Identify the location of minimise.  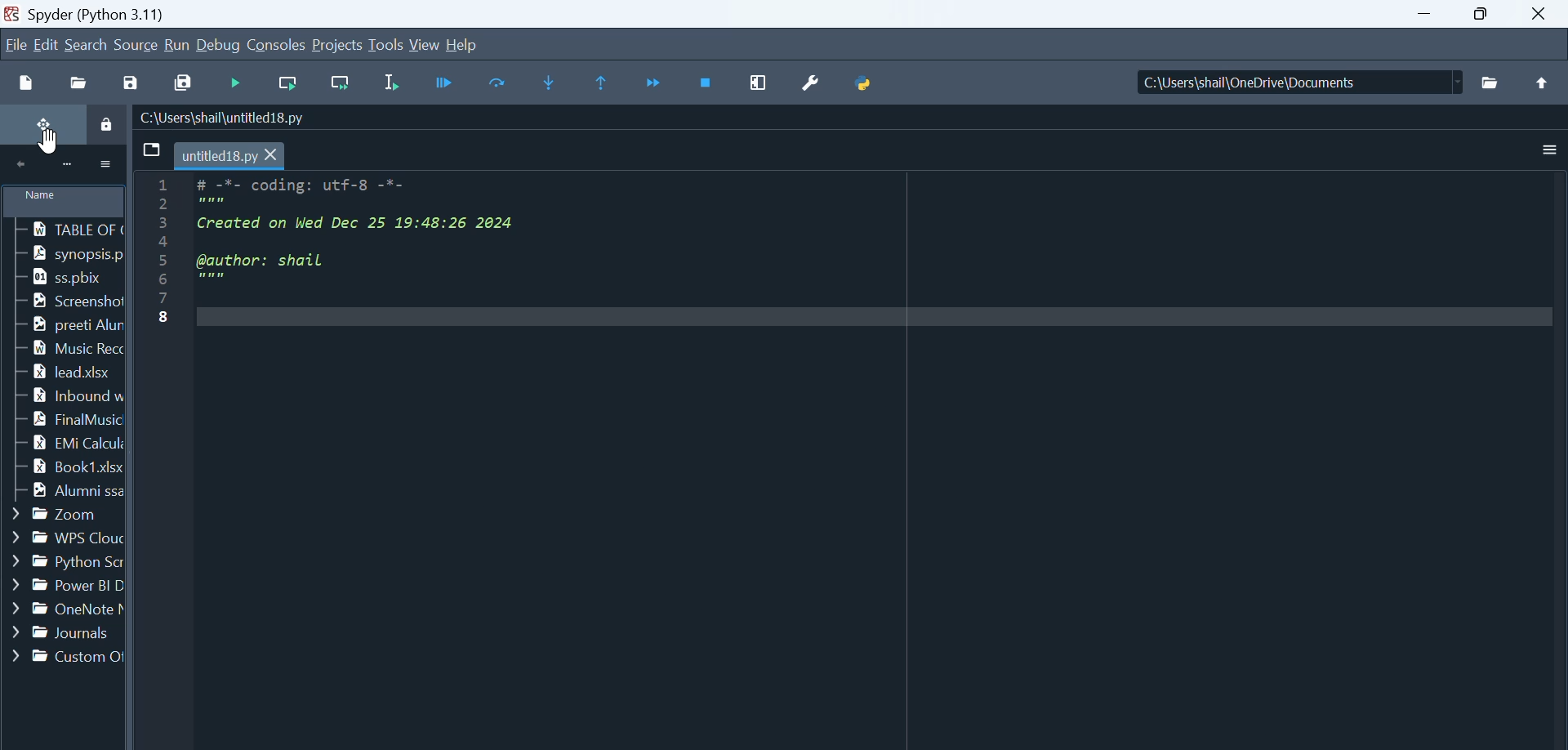
(1429, 15).